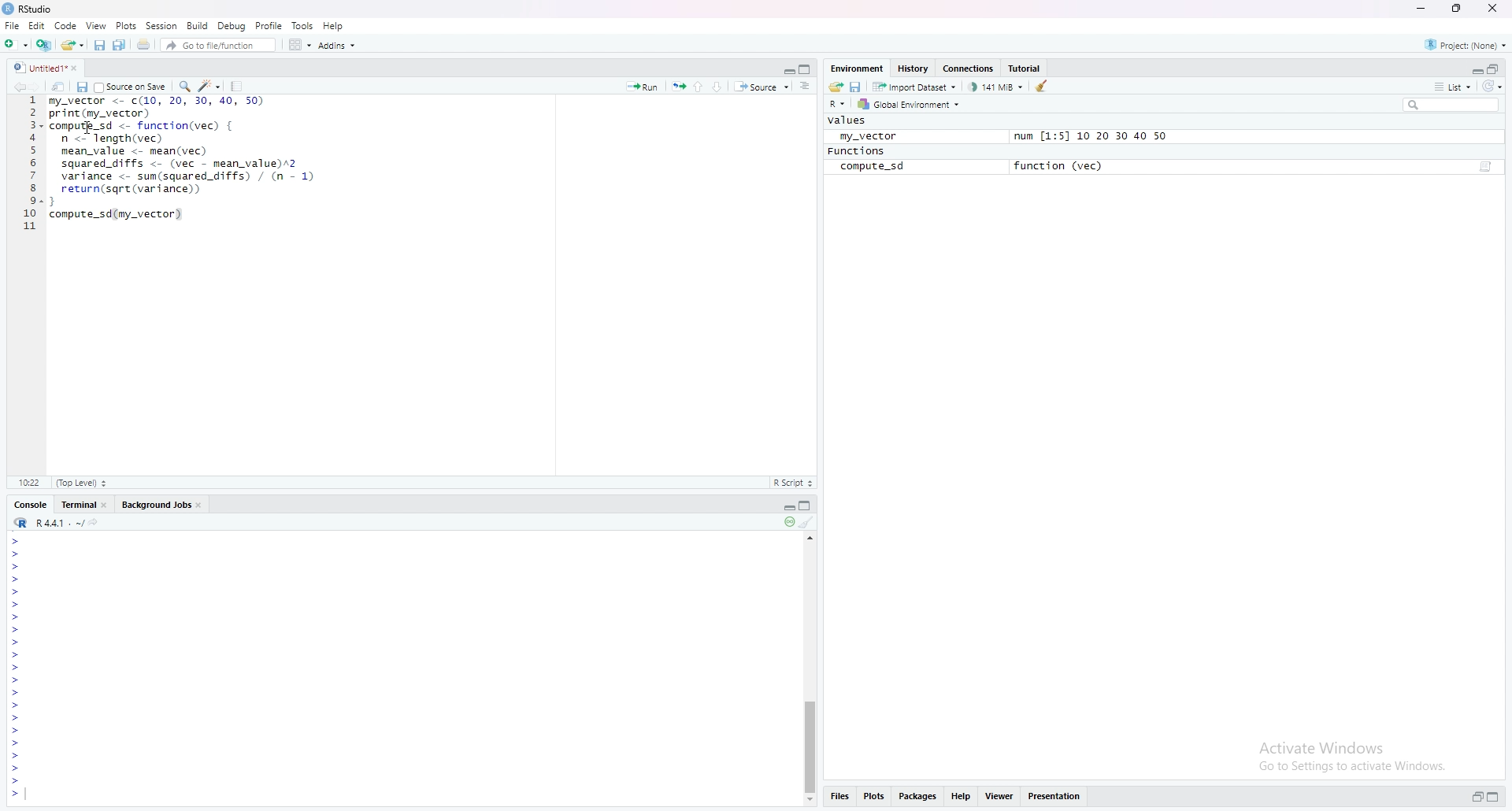 This screenshot has width=1512, height=811. I want to click on Go to next section/Chunk (Ctrl + pdDn), so click(720, 85).